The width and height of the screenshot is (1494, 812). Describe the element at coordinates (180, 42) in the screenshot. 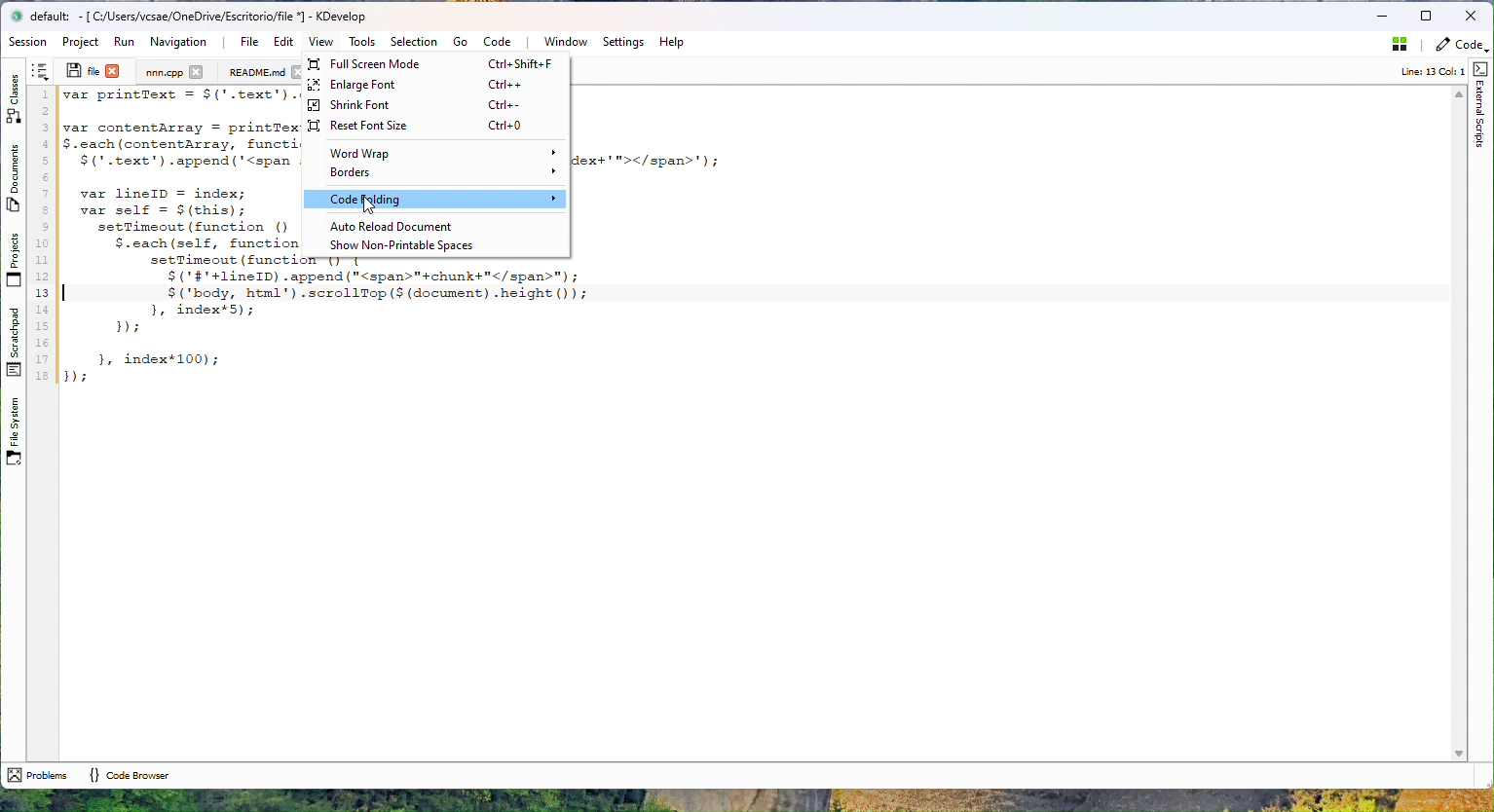

I see `Navigation` at that location.